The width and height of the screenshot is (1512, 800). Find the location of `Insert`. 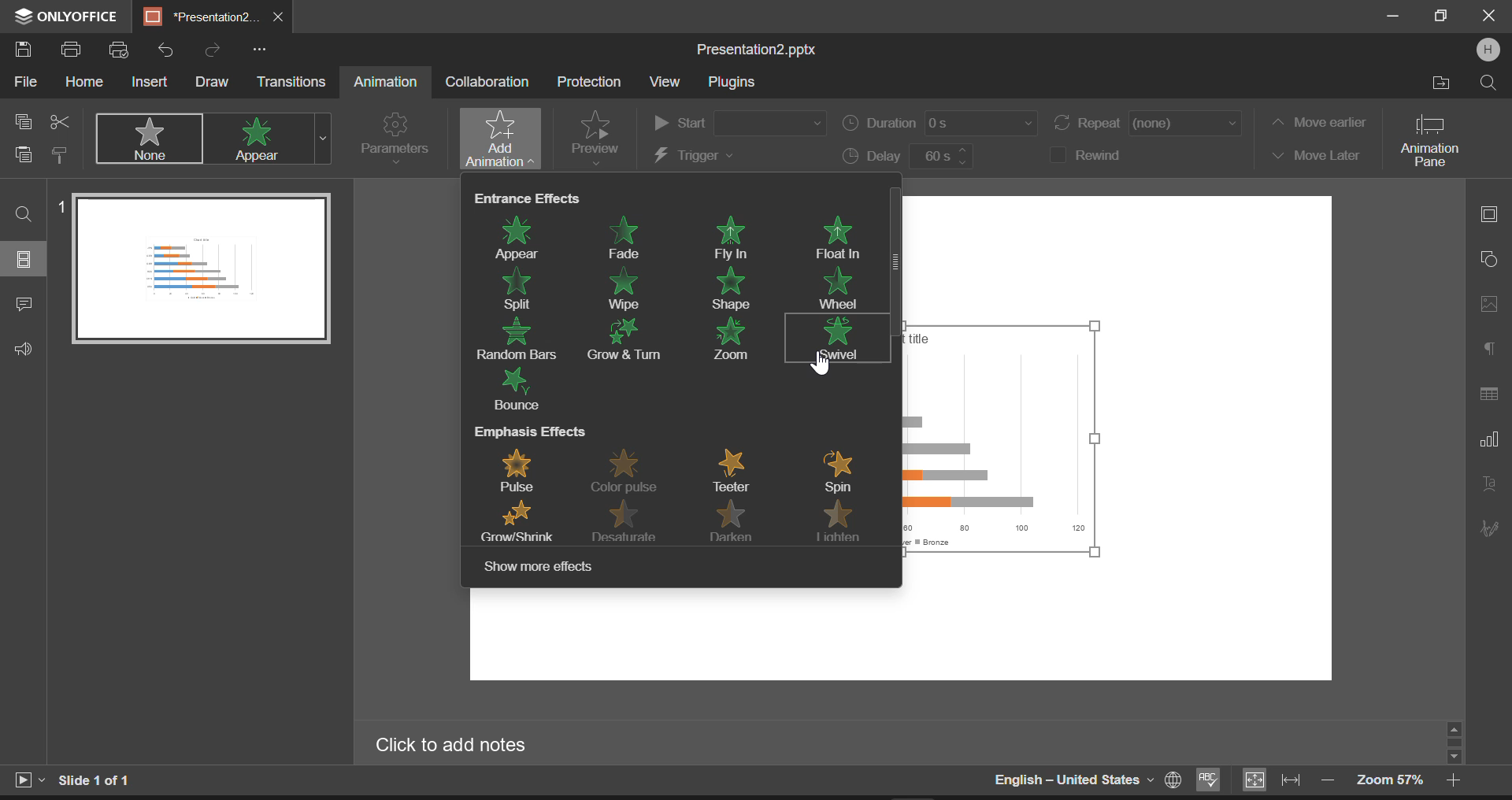

Insert is located at coordinates (150, 80).